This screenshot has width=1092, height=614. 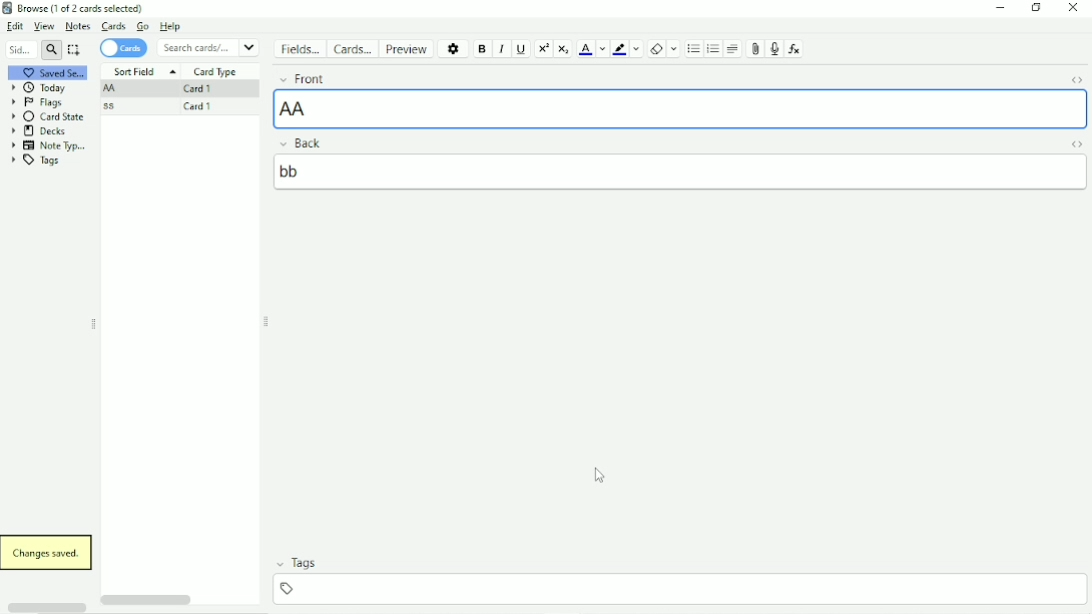 What do you see at coordinates (126, 48) in the screenshot?
I see `Cards` at bounding box center [126, 48].